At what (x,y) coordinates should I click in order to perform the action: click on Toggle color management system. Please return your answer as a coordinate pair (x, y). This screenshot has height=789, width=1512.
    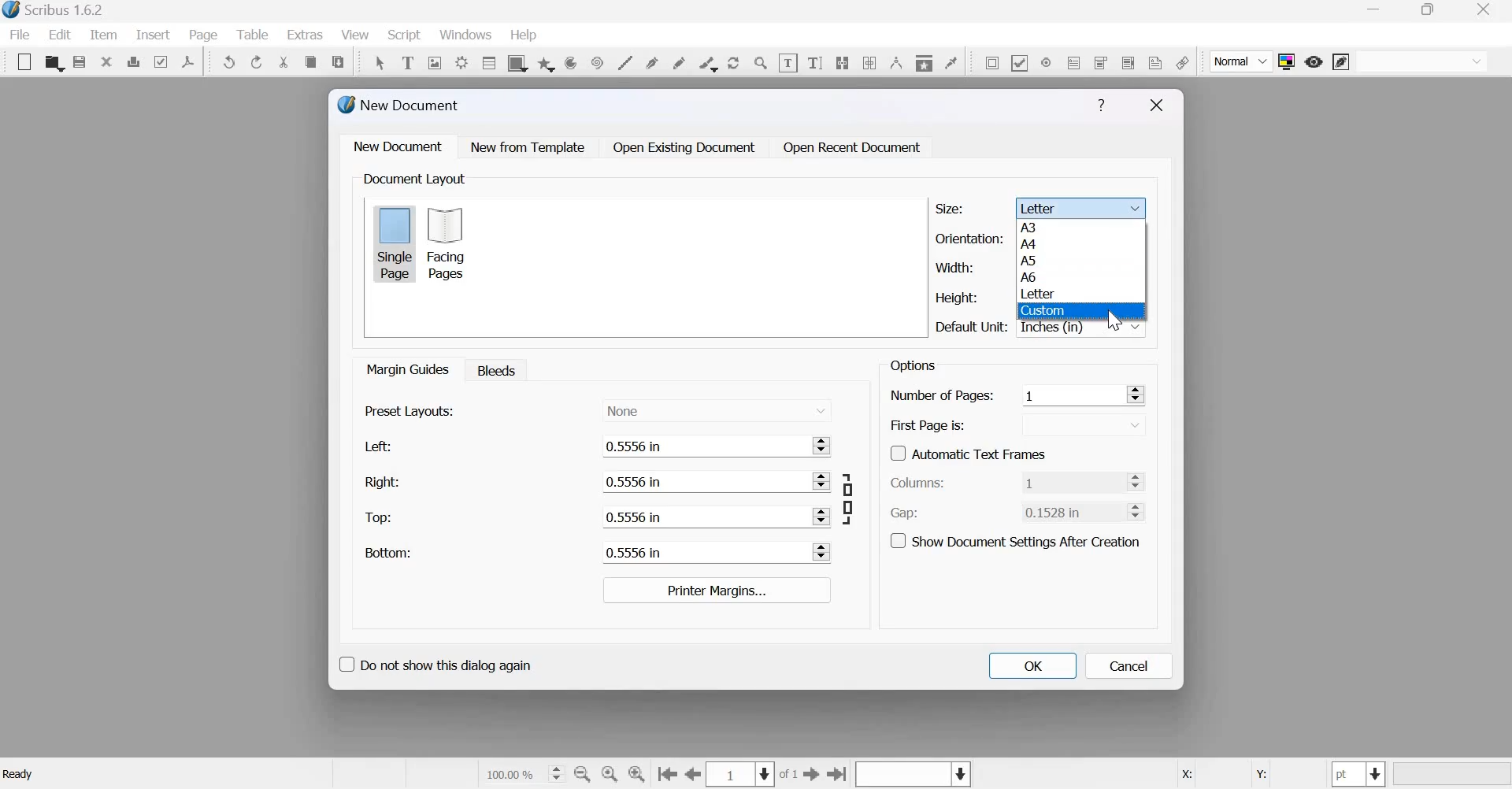
    Looking at the image, I should click on (1287, 61).